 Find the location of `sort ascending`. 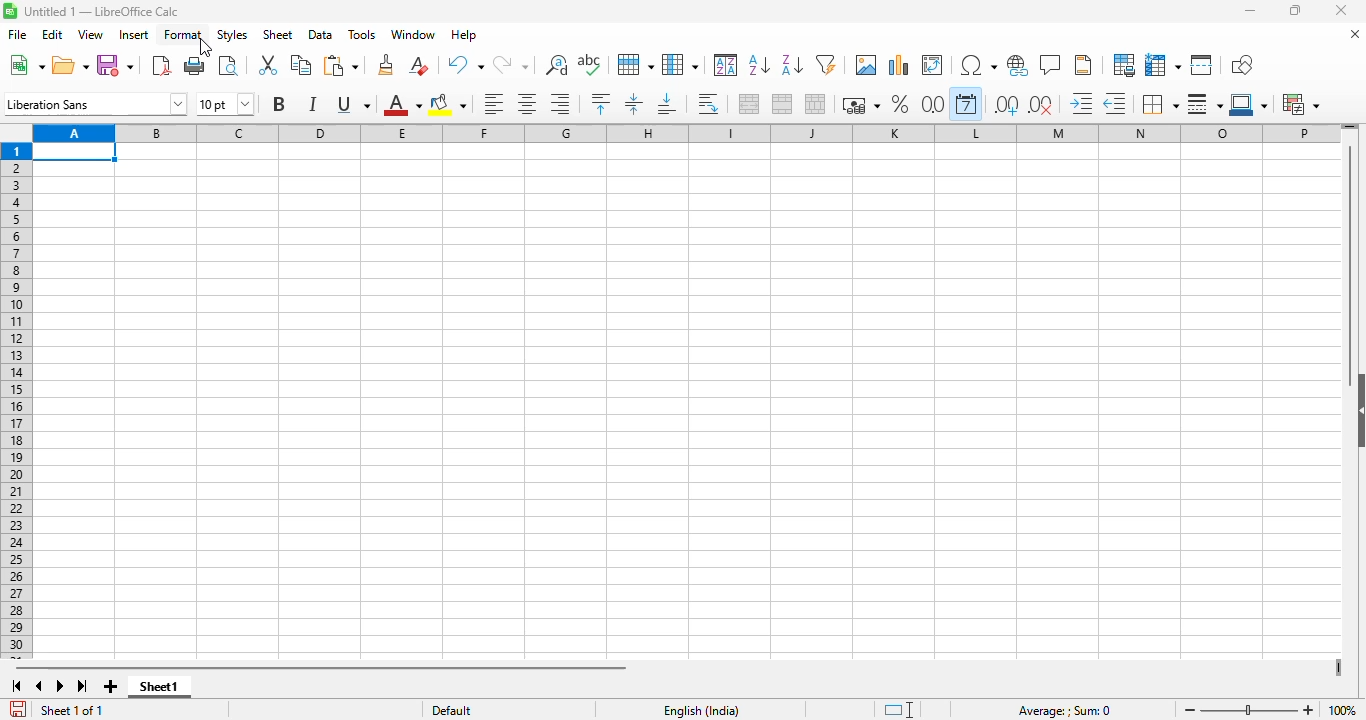

sort ascending is located at coordinates (759, 66).